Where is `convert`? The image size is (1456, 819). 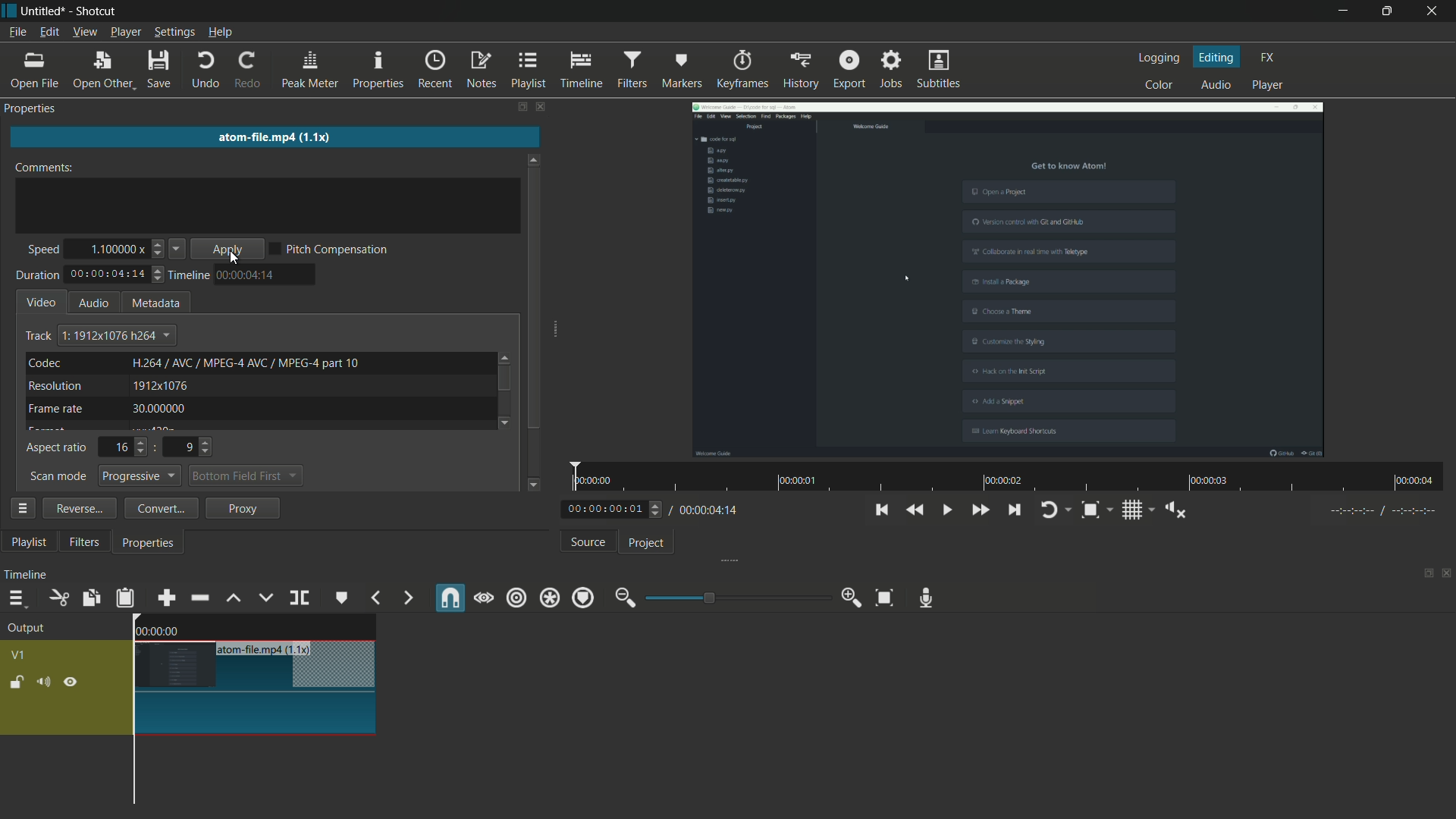
convert is located at coordinates (157, 508).